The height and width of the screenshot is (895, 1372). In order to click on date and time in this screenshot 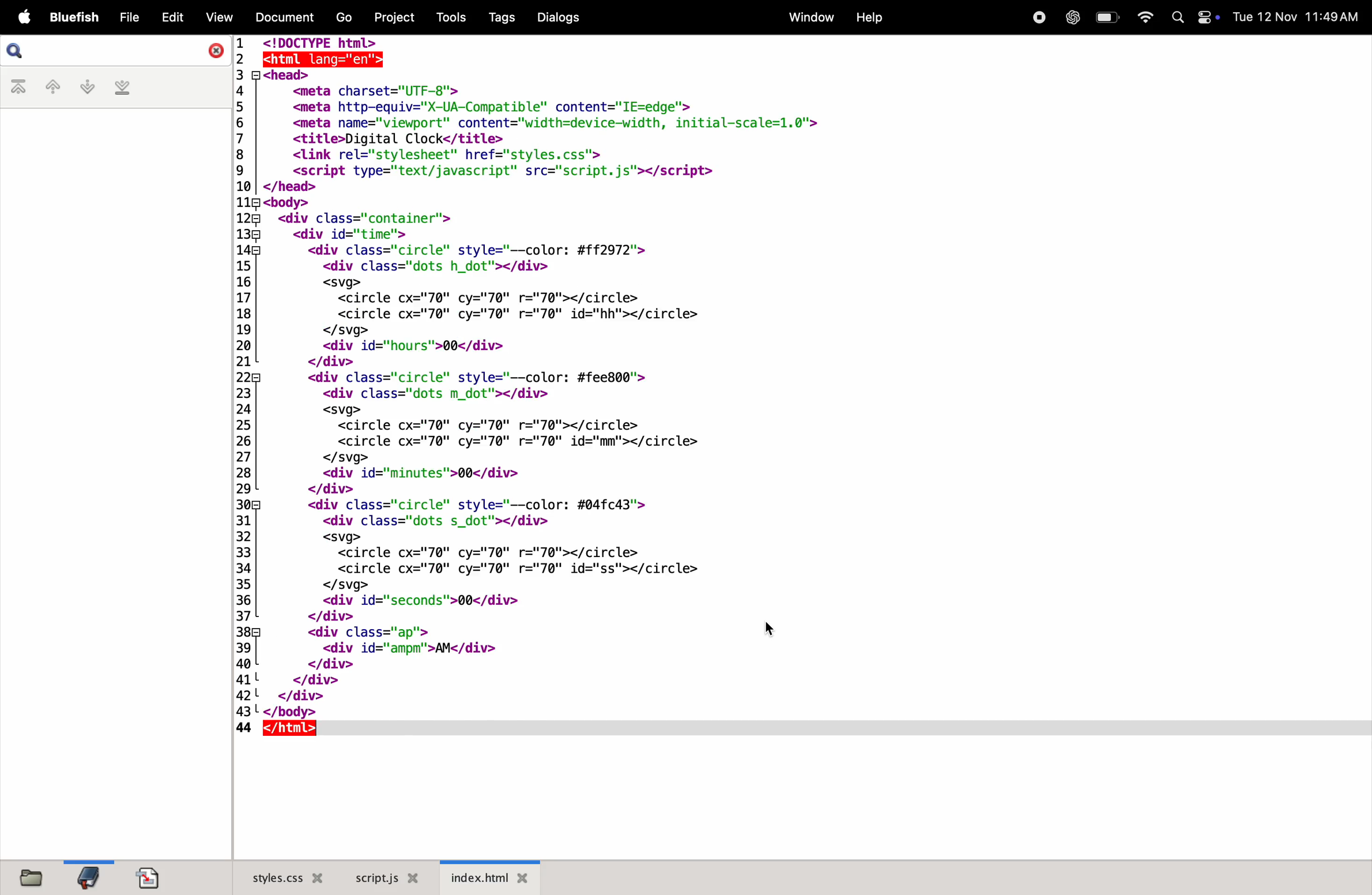, I will do `click(1298, 19)`.